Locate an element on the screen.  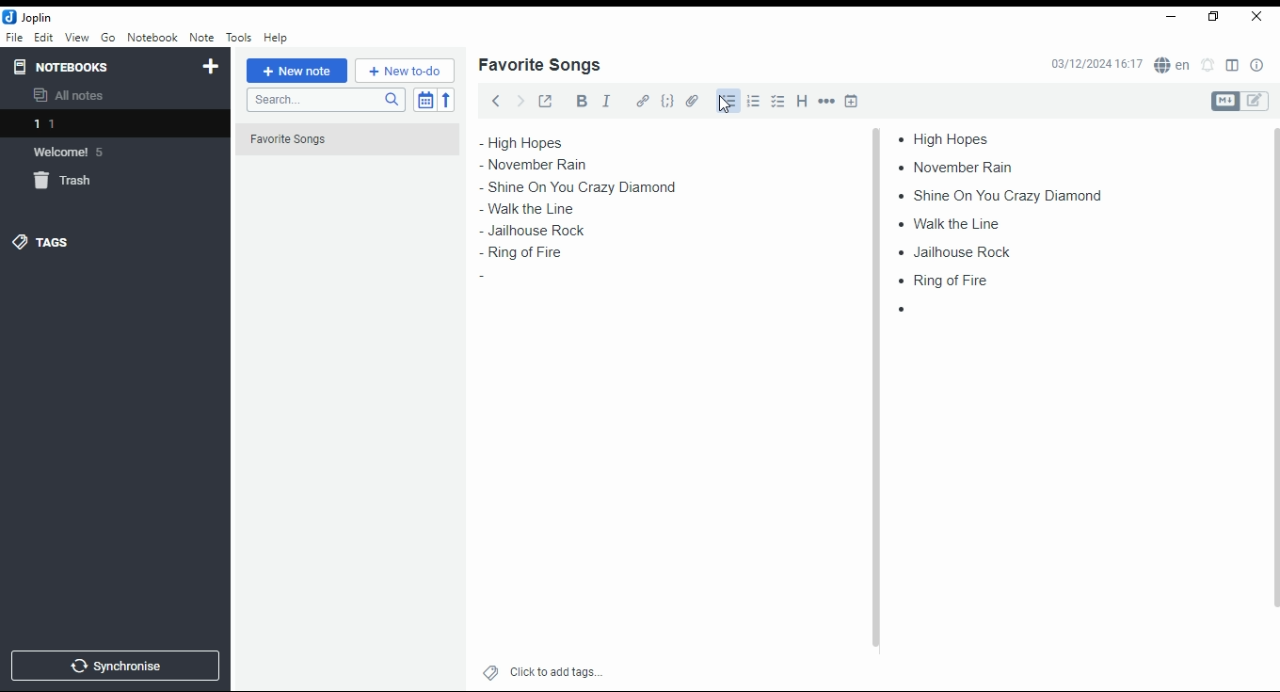
toggle external editing is located at coordinates (546, 100).